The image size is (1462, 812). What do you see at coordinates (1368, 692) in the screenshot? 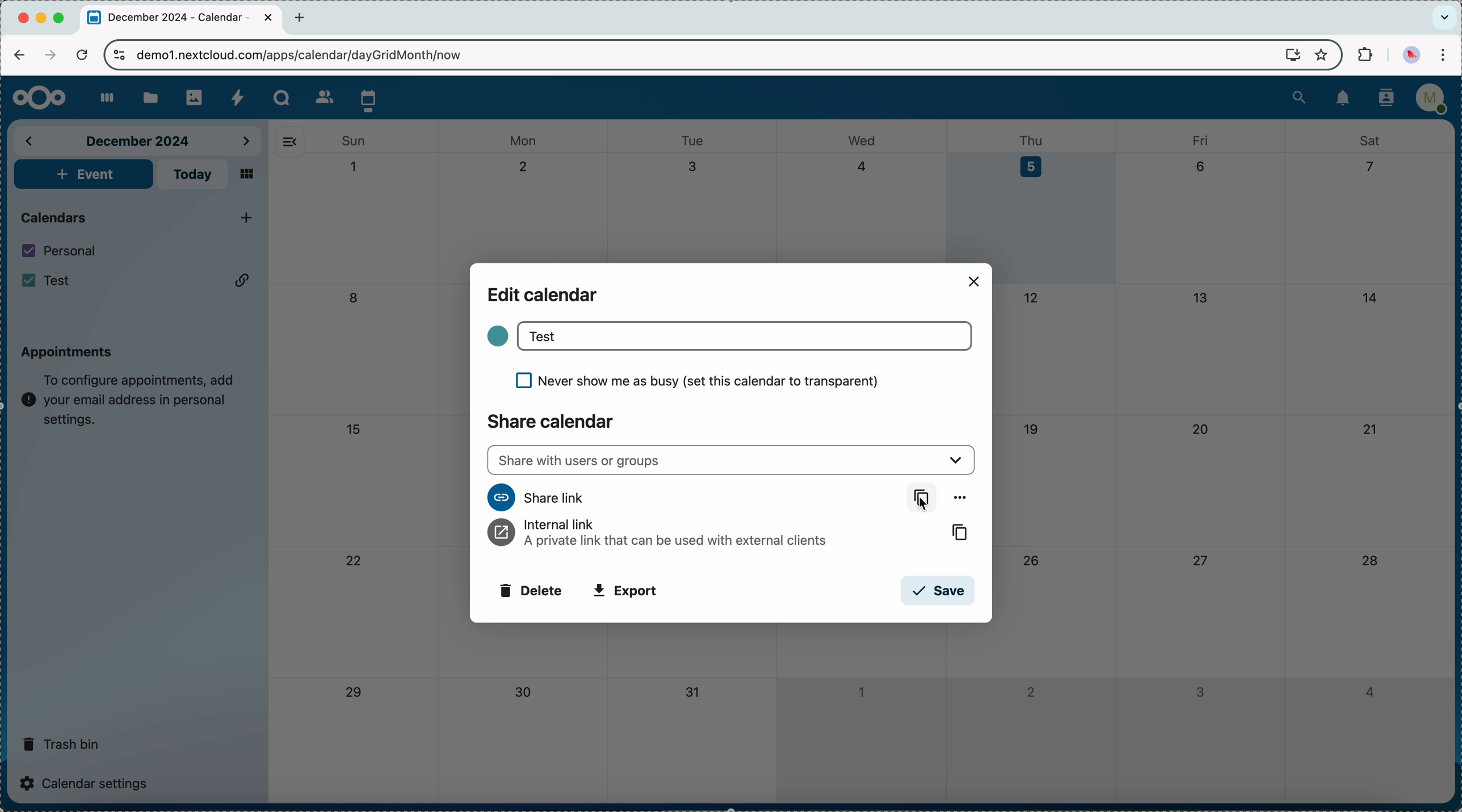
I see `4` at bounding box center [1368, 692].